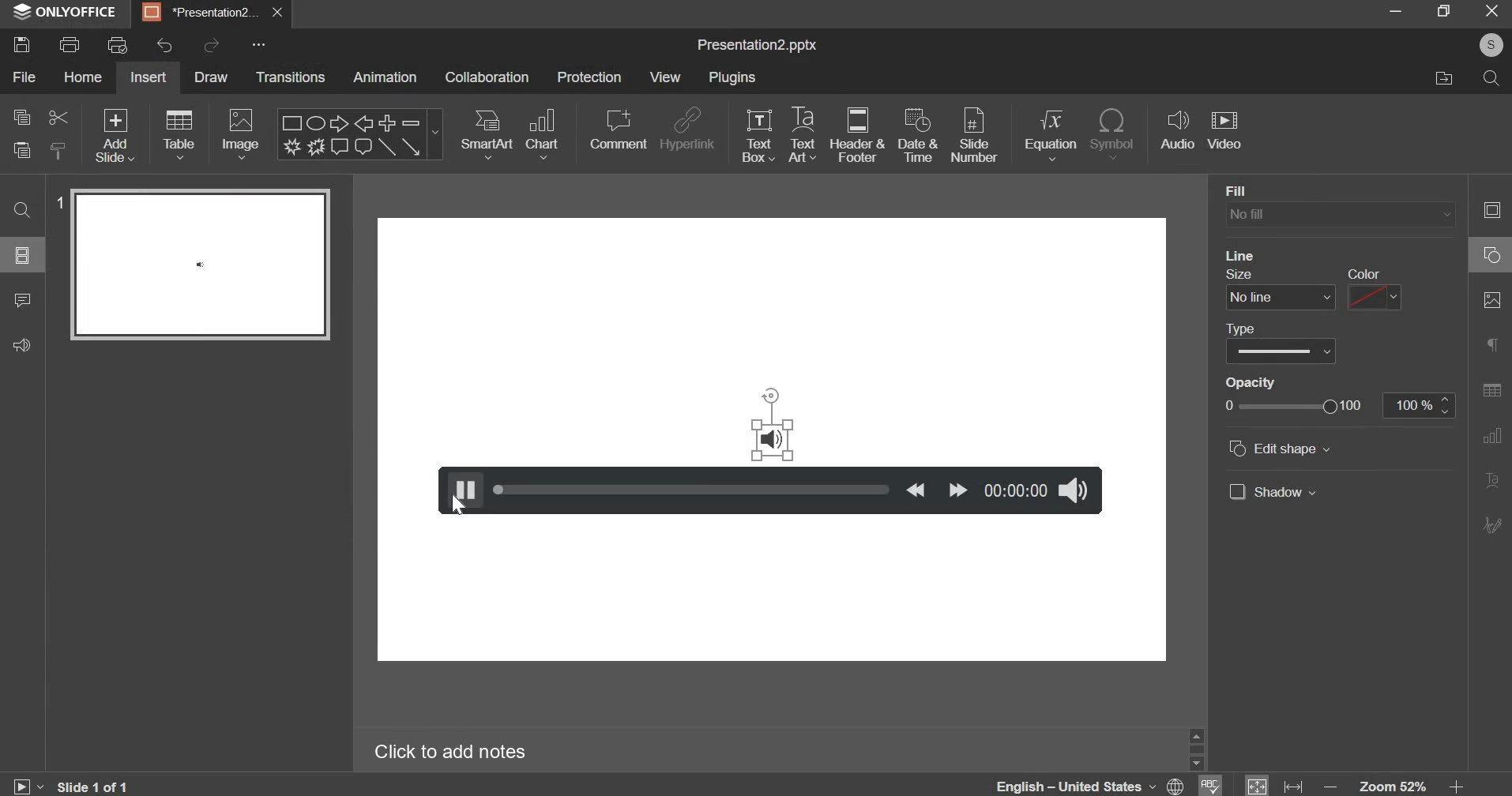  I want to click on timer, so click(1017, 490).